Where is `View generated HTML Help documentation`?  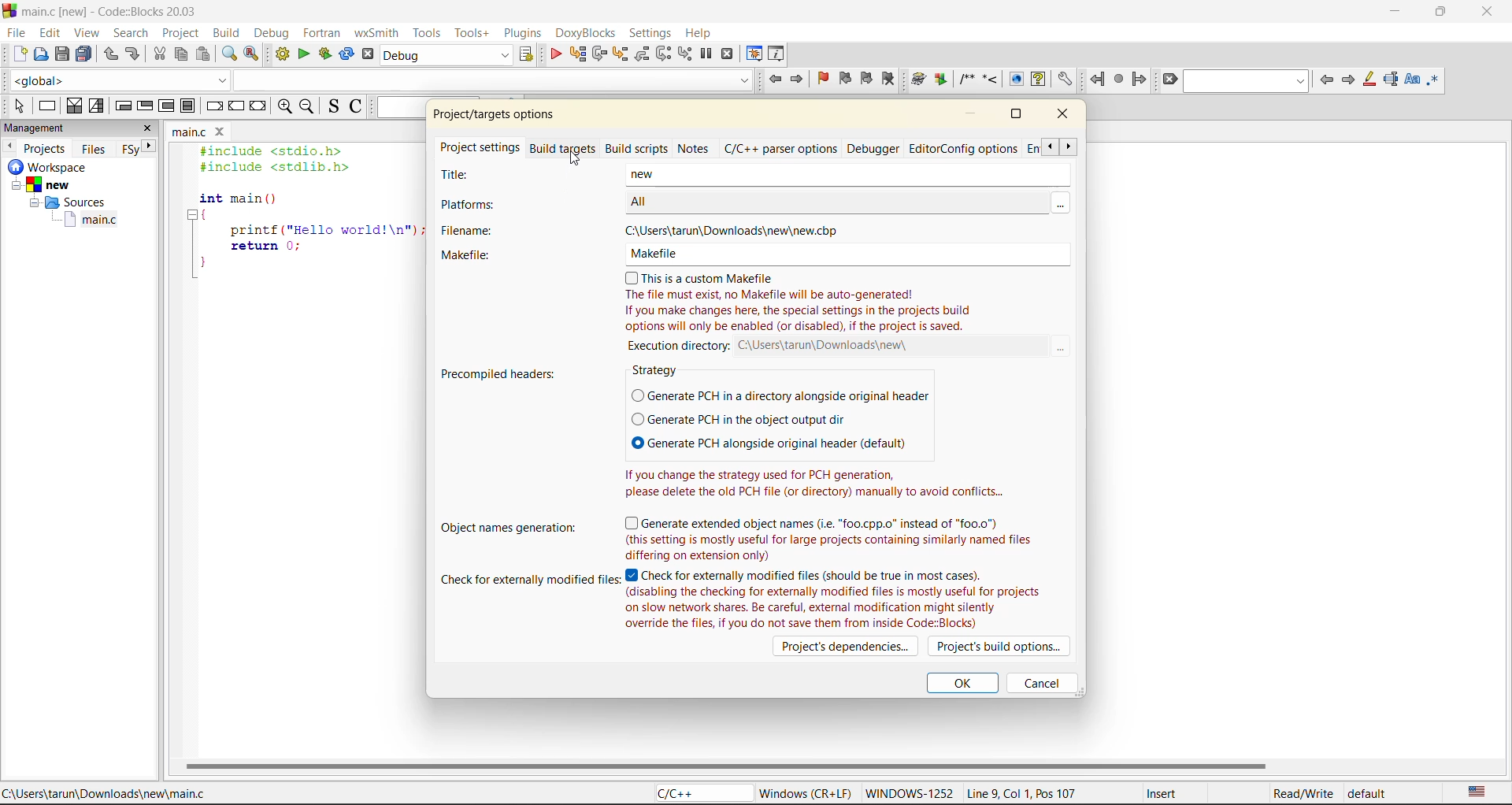 View generated HTML Help documentation is located at coordinates (1038, 78).